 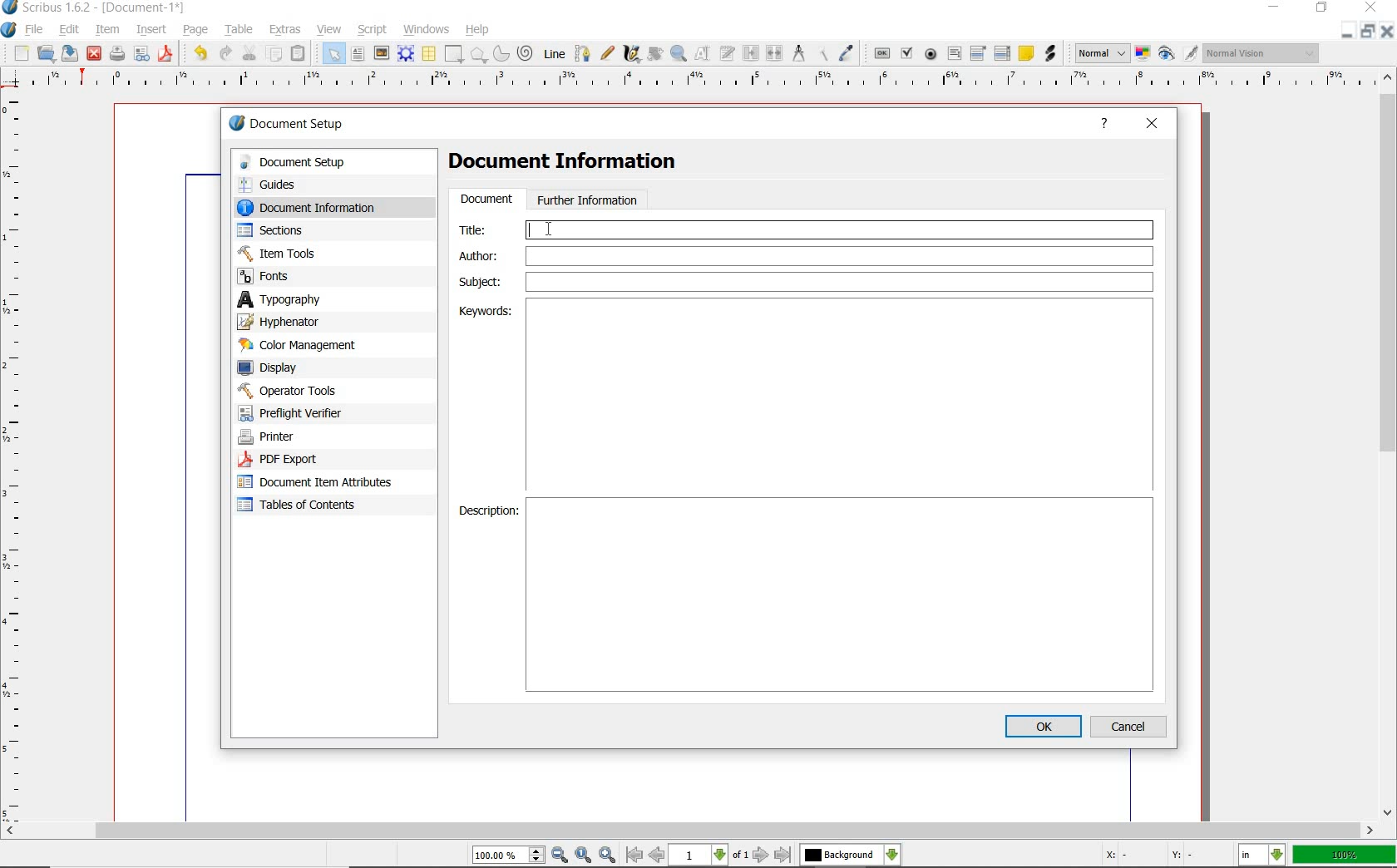 What do you see at coordinates (165, 56) in the screenshot?
I see `save as pdf` at bounding box center [165, 56].